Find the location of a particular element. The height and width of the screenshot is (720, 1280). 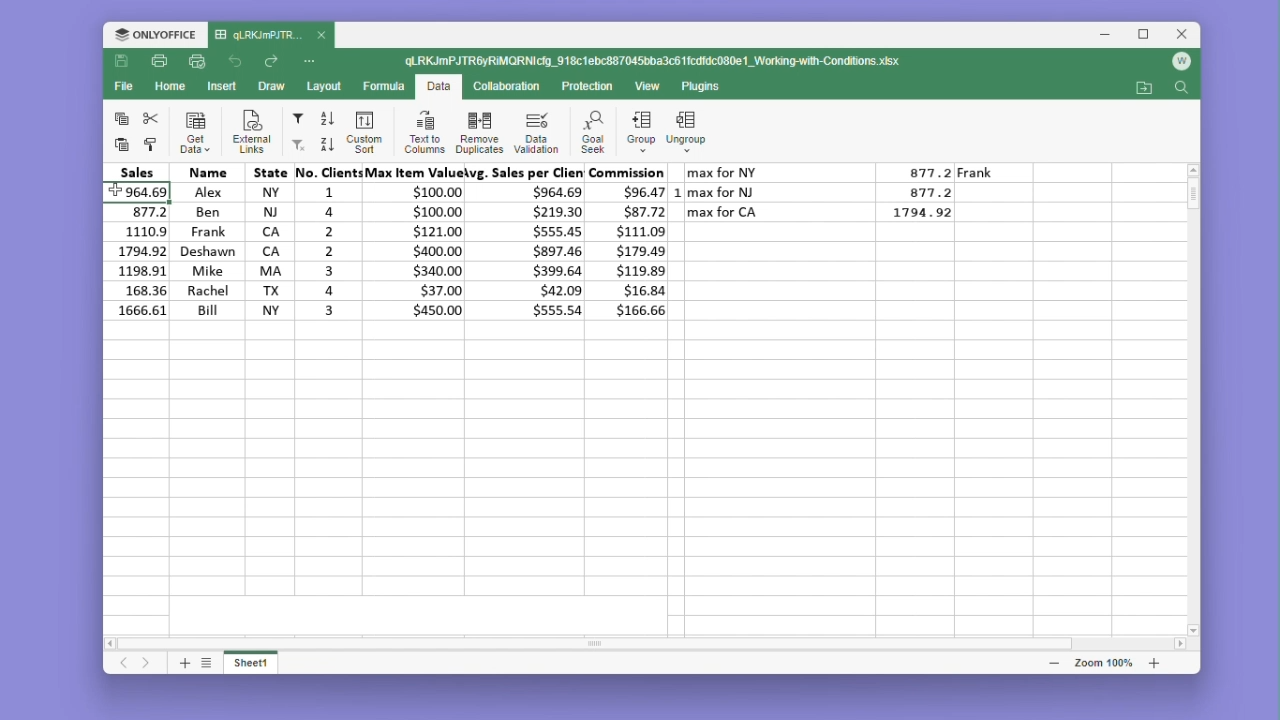

Collaboration is located at coordinates (504, 85).